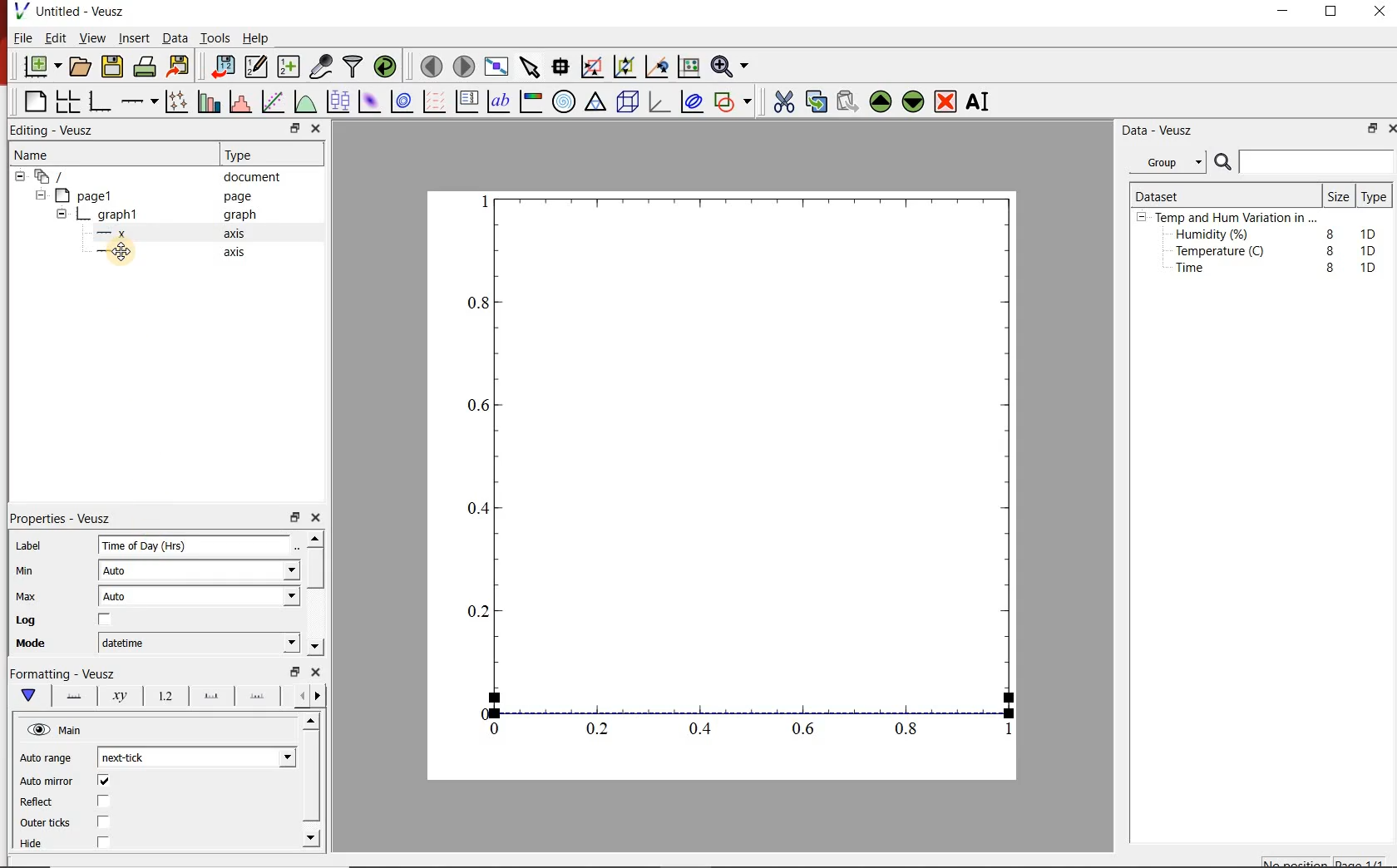 The height and width of the screenshot is (868, 1397). What do you see at coordinates (1369, 131) in the screenshot?
I see `restore down` at bounding box center [1369, 131].